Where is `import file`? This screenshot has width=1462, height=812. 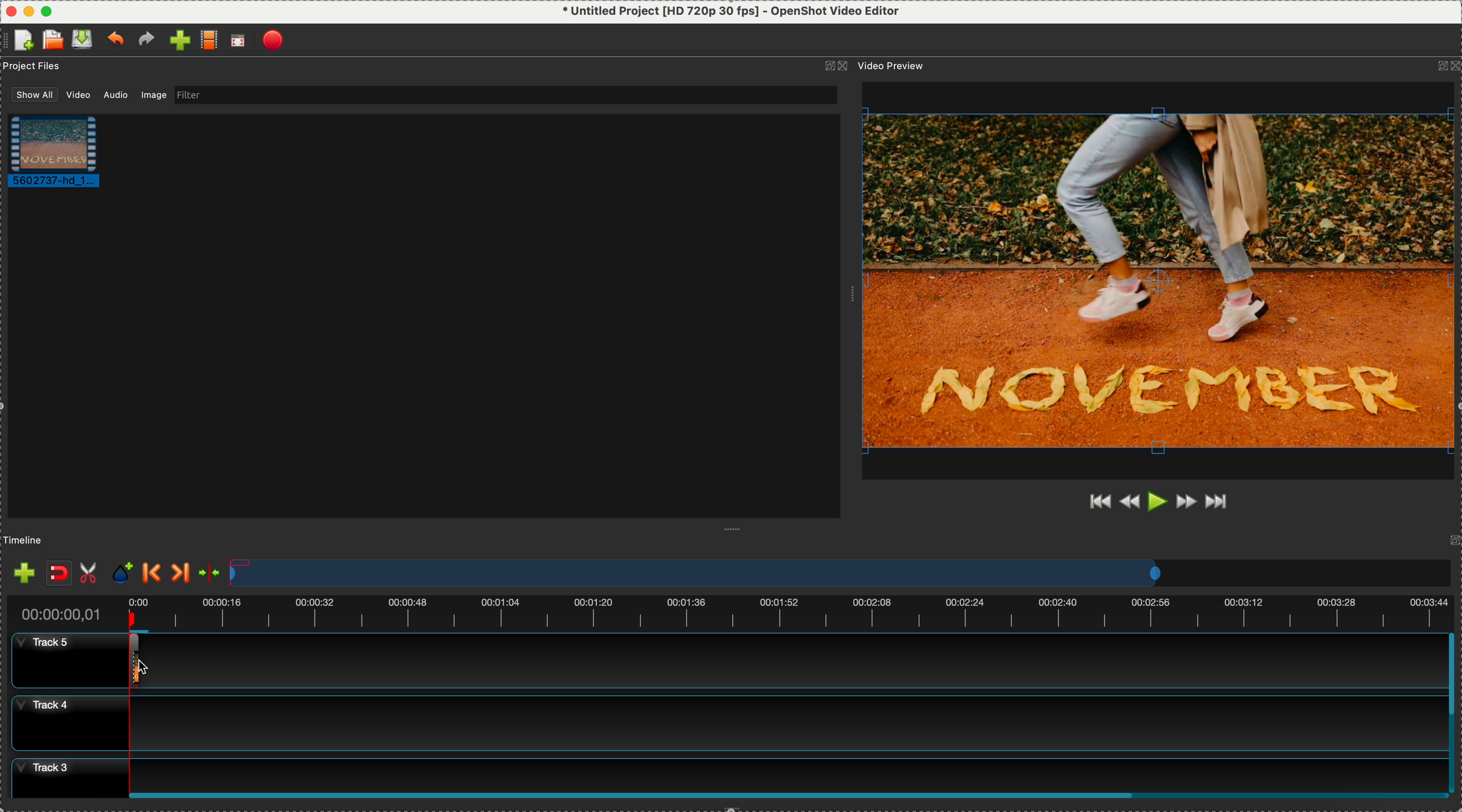 import file is located at coordinates (176, 40).